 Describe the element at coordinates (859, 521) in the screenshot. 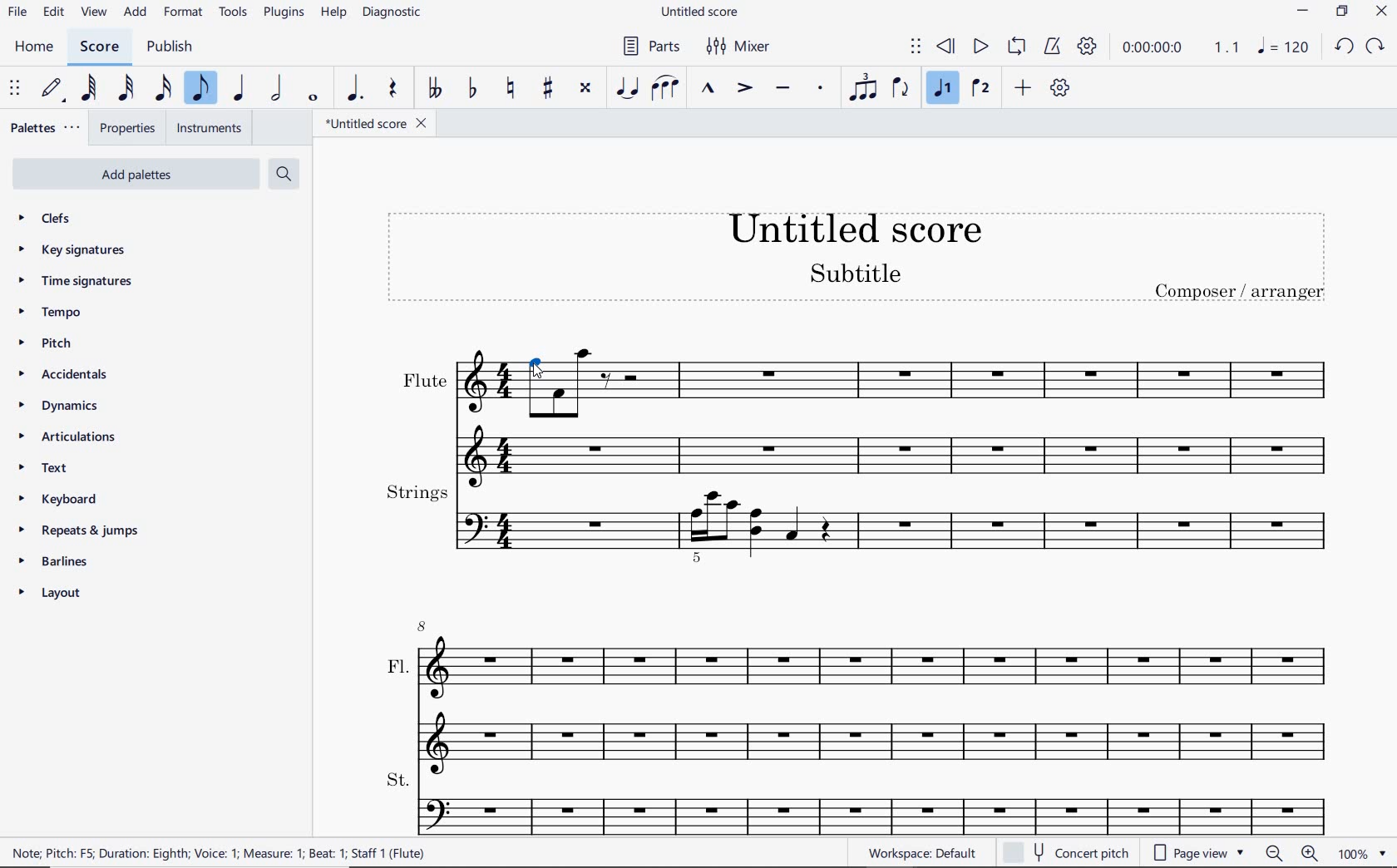

I see `strings` at that location.